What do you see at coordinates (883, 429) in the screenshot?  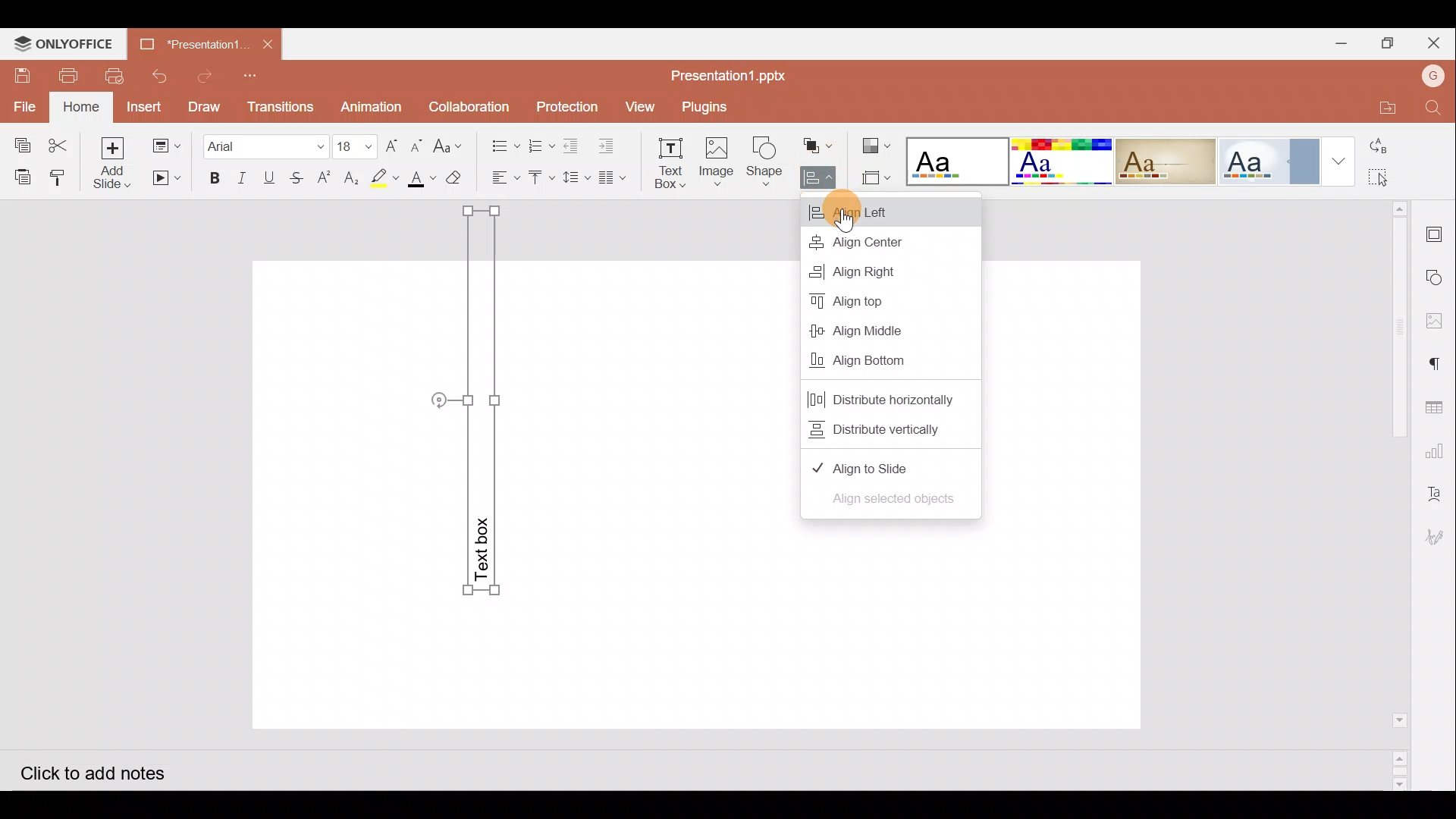 I see `Distribute vertically` at bounding box center [883, 429].